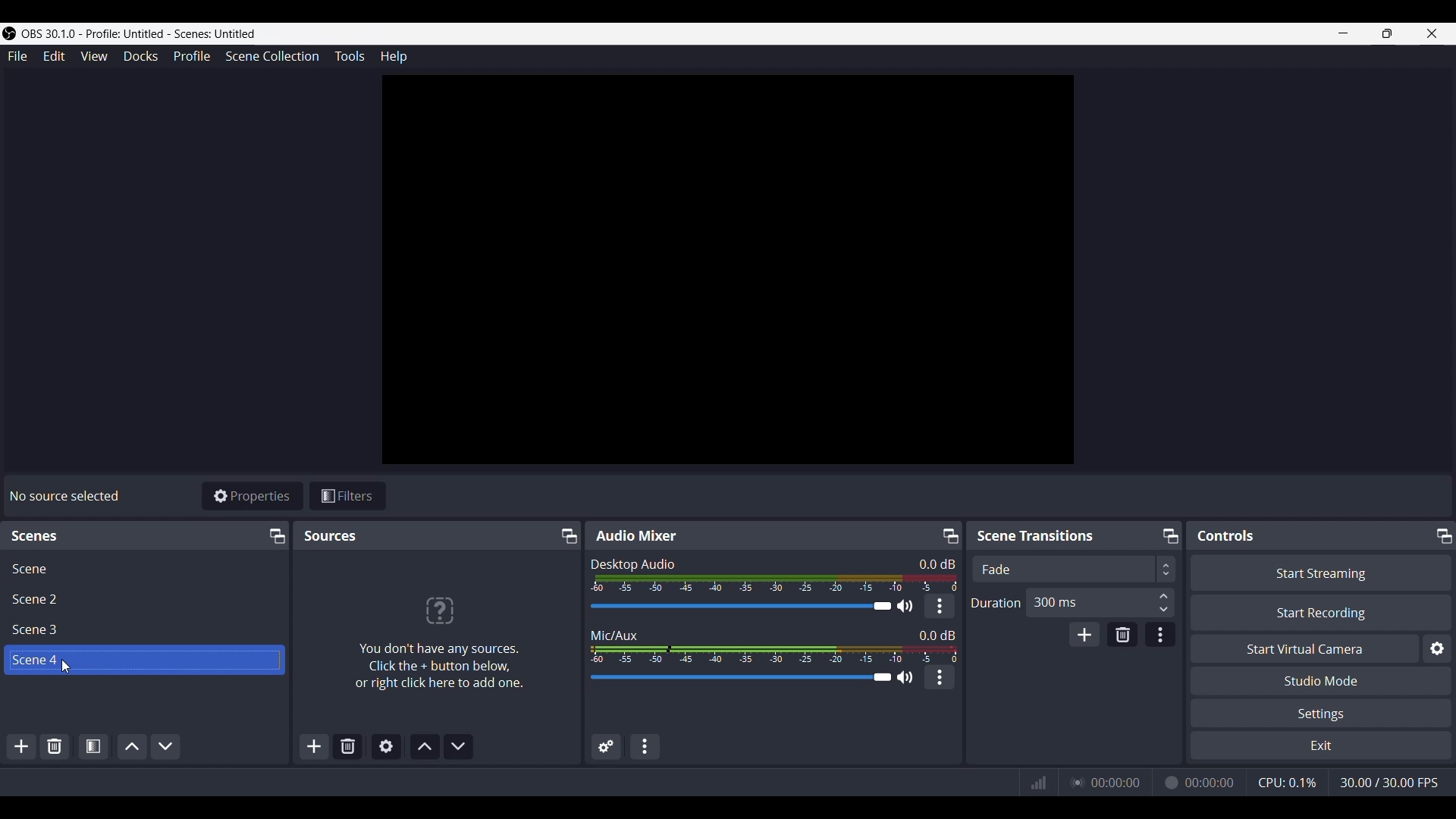 Image resolution: width=1456 pixels, height=819 pixels. I want to click on CPU Usage, so click(1288, 782).